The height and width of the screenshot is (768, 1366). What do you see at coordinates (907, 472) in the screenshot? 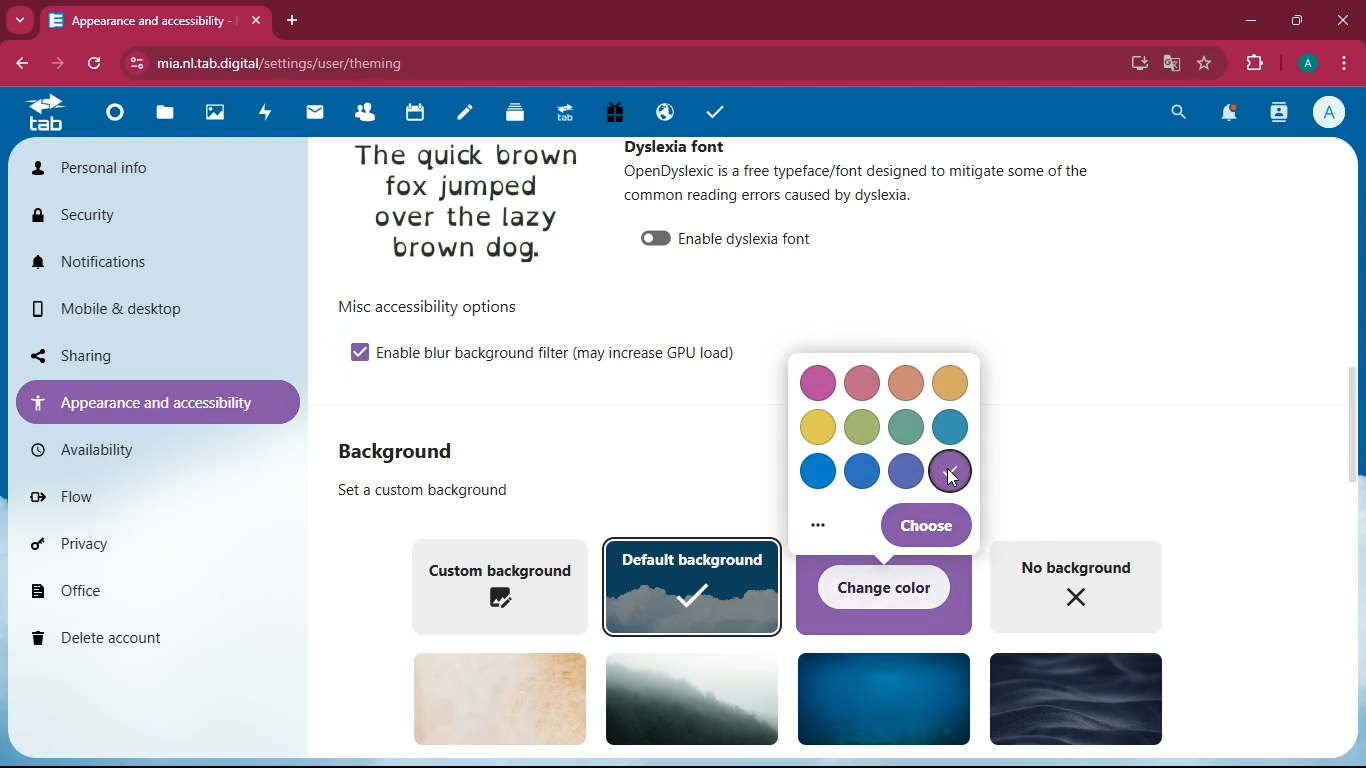
I see `color` at bounding box center [907, 472].